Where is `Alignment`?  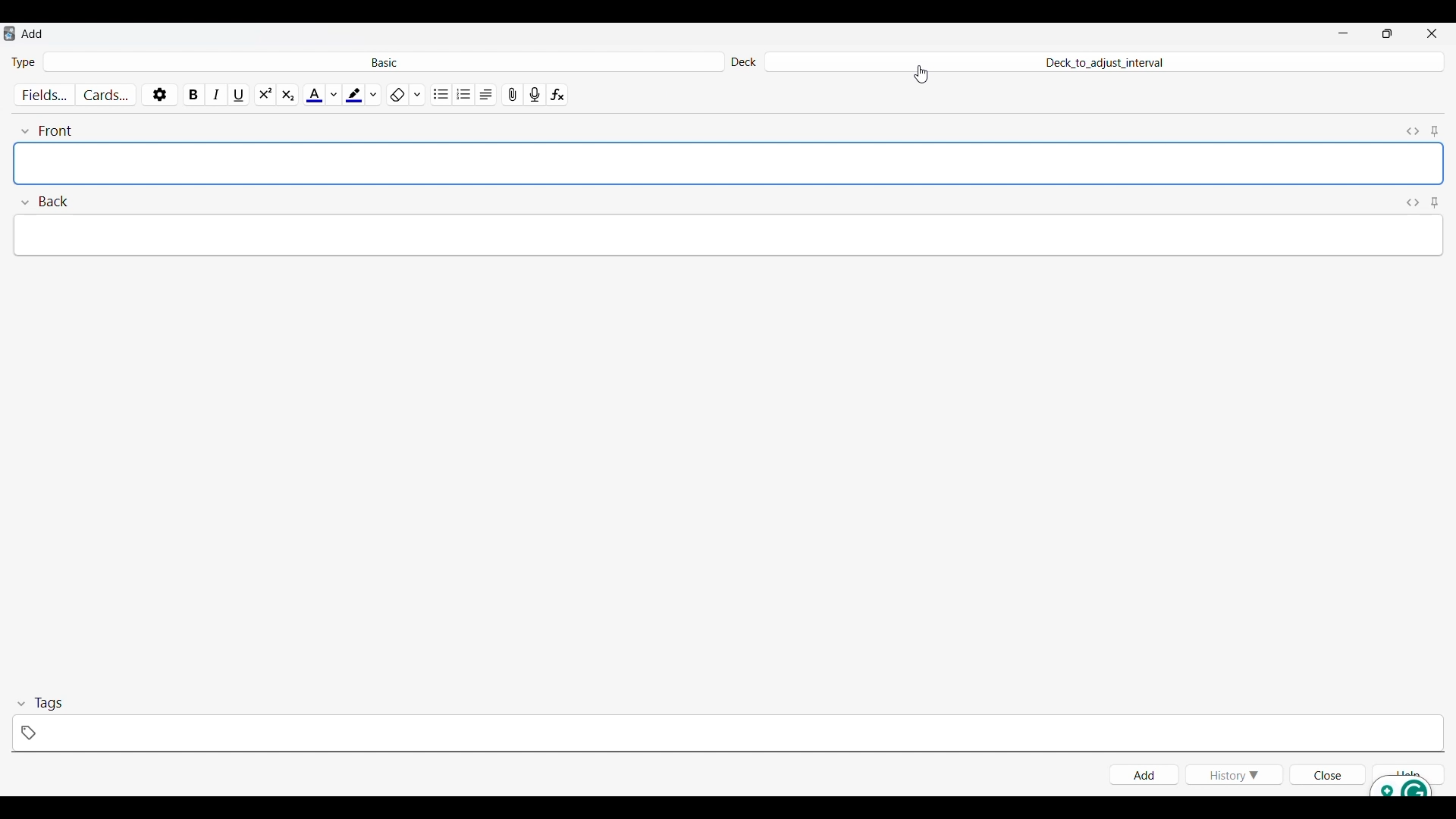
Alignment is located at coordinates (486, 95).